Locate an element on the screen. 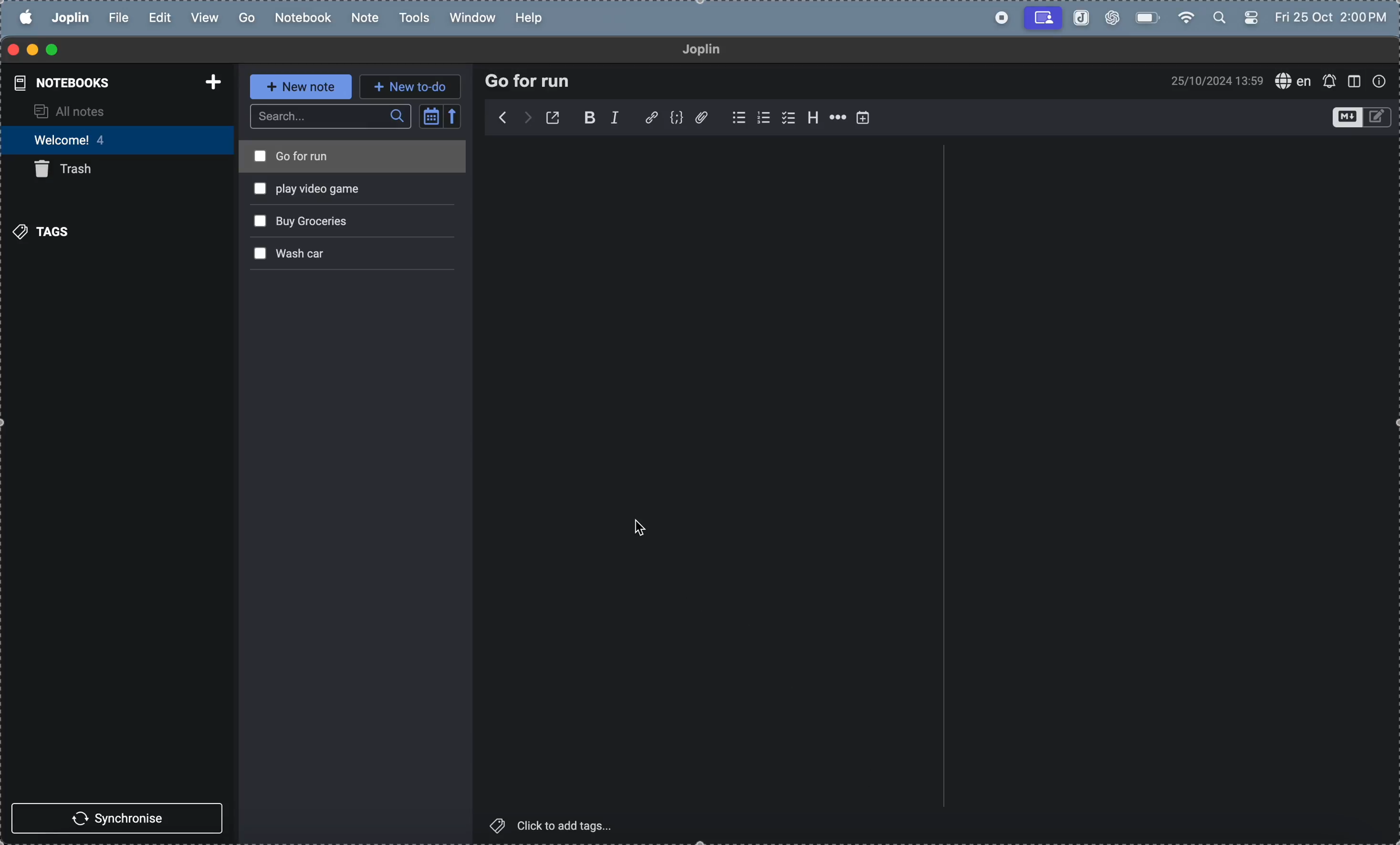 The height and width of the screenshot is (845, 1400). view is located at coordinates (206, 18).